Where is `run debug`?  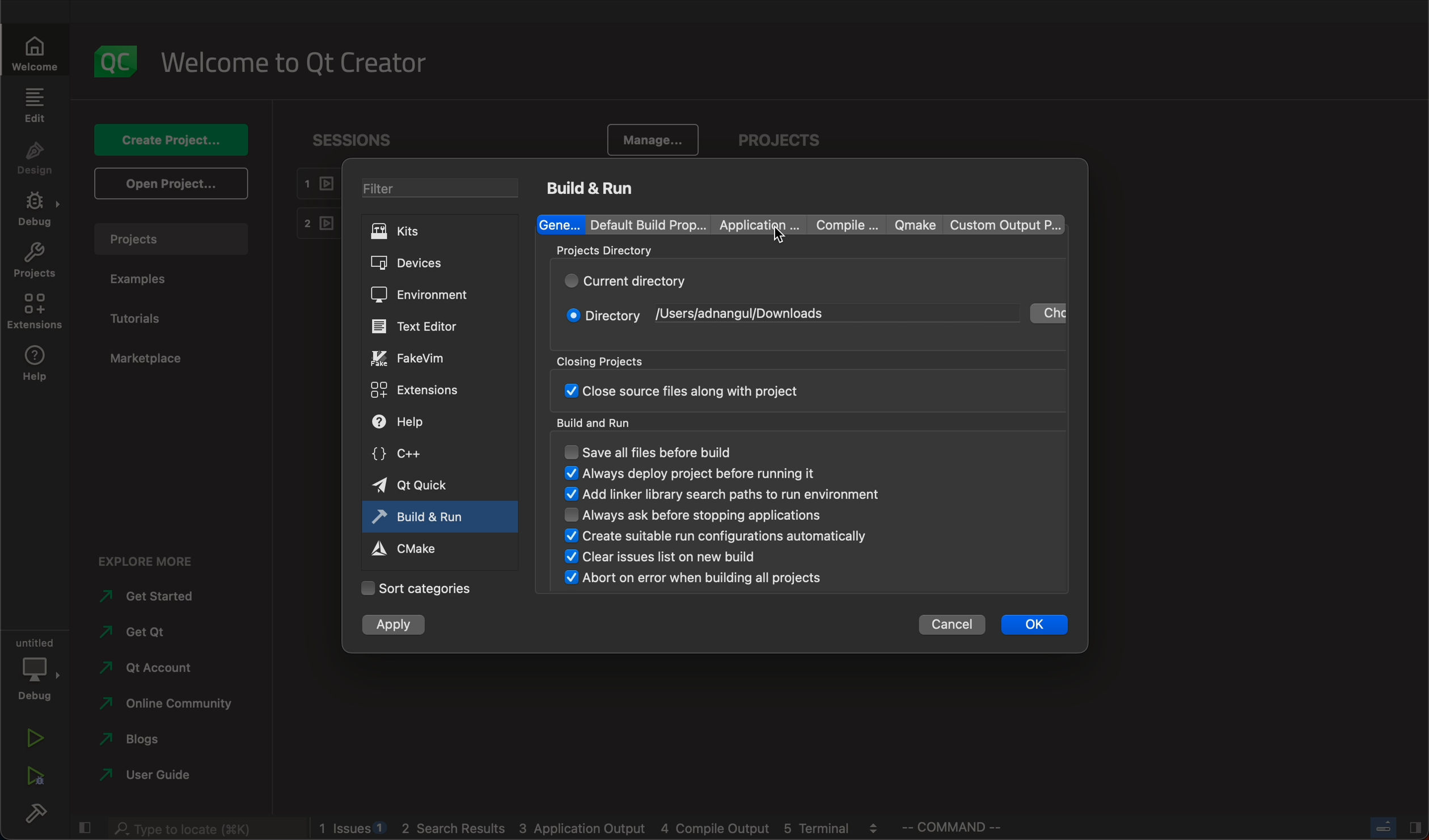 run debug is located at coordinates (34, 779).